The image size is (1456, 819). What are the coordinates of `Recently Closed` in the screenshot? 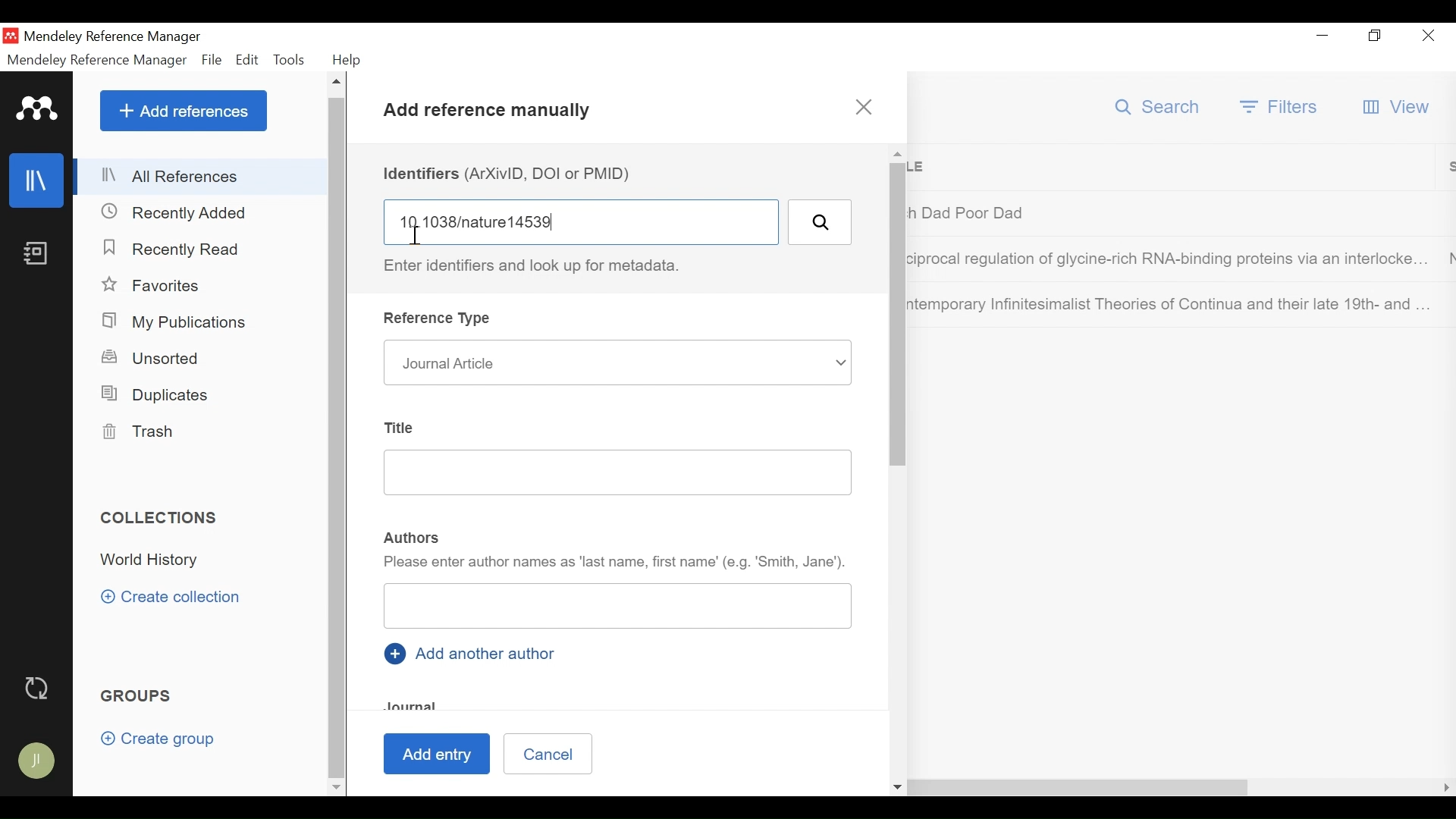 It's located at (176, 251).